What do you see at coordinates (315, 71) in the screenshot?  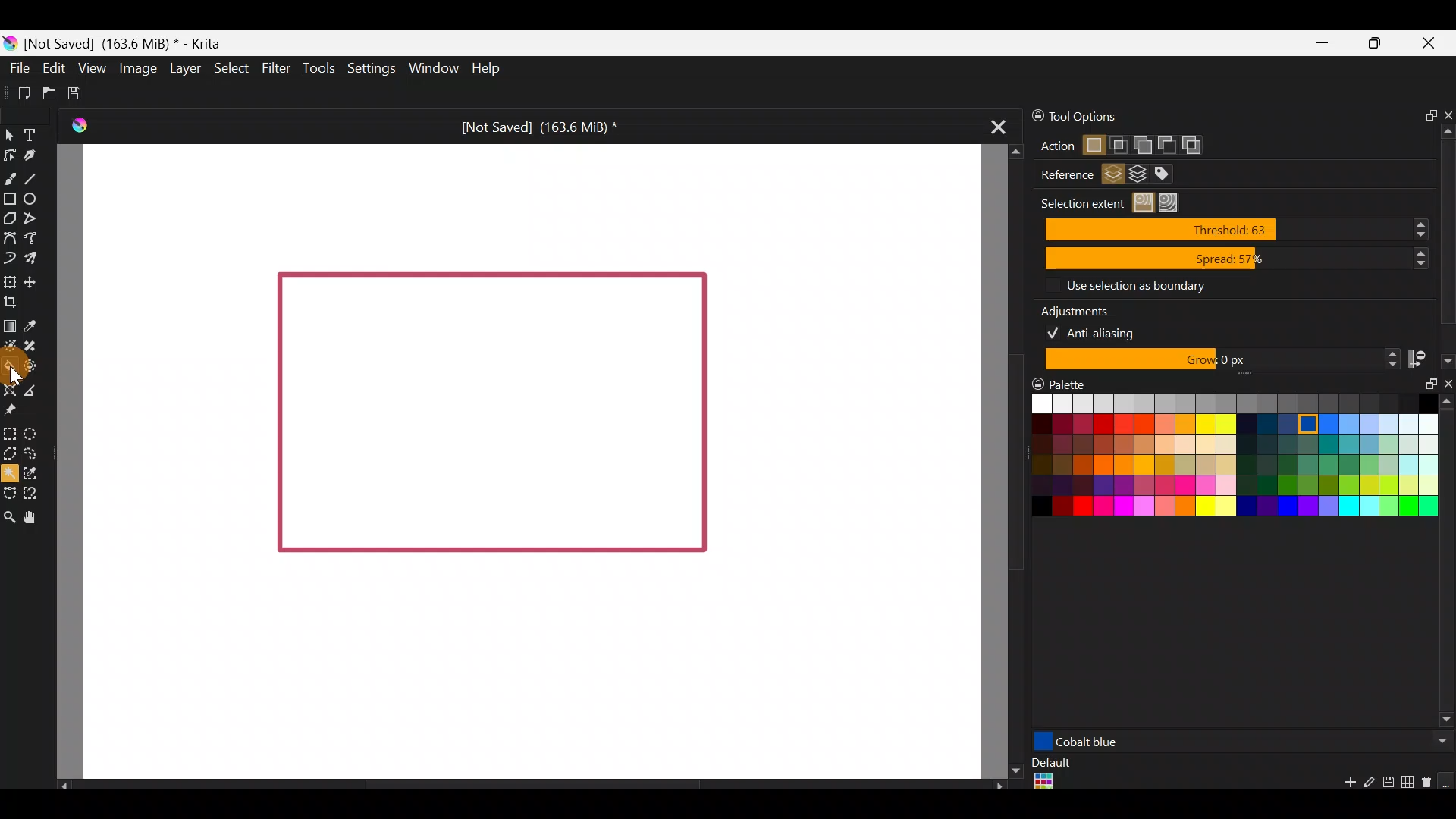 I see `Tools` at bounding box center [315, 71].